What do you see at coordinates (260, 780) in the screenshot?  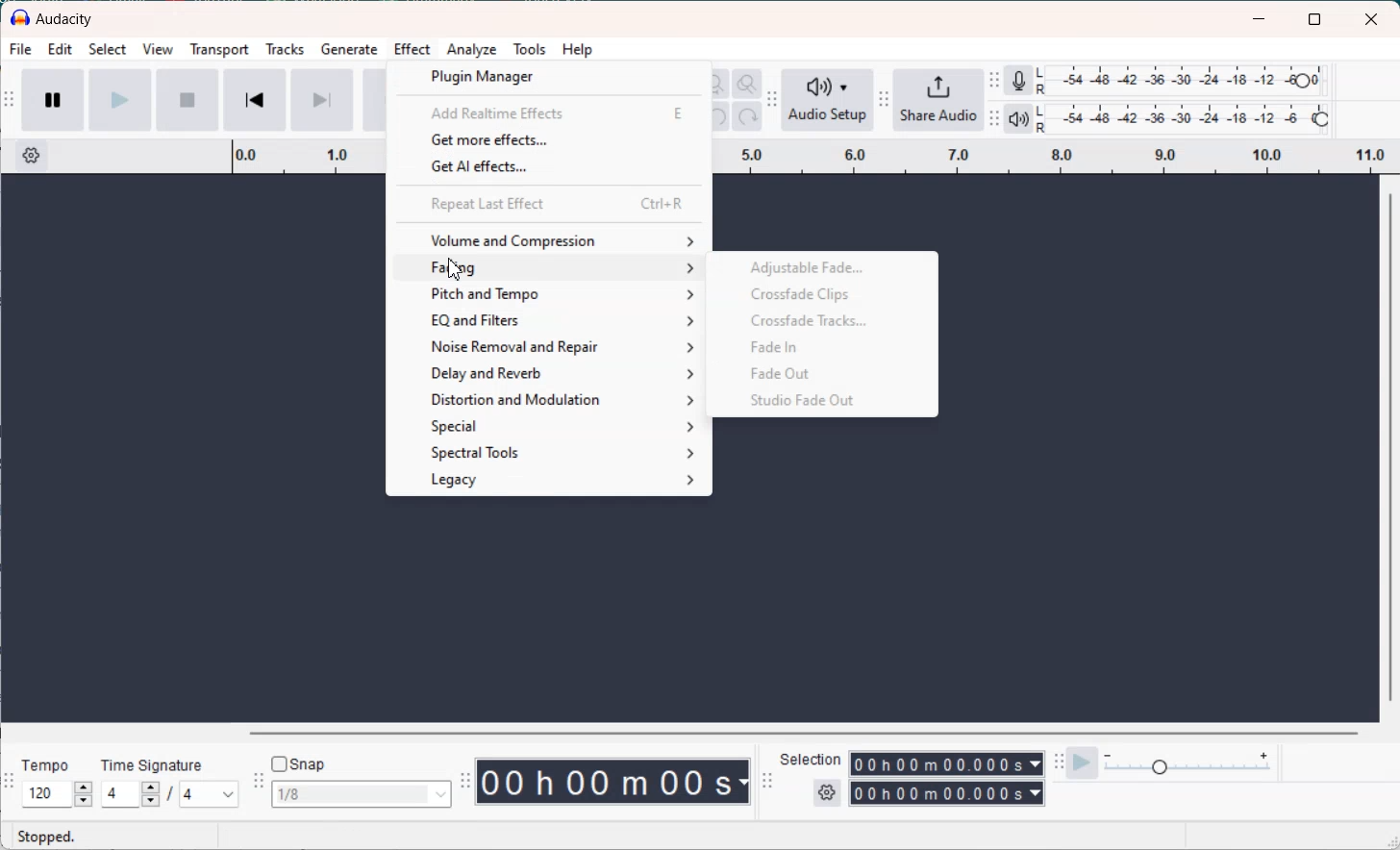 I see `Audacity snapping toolbar` at bounding box center [260, 780].